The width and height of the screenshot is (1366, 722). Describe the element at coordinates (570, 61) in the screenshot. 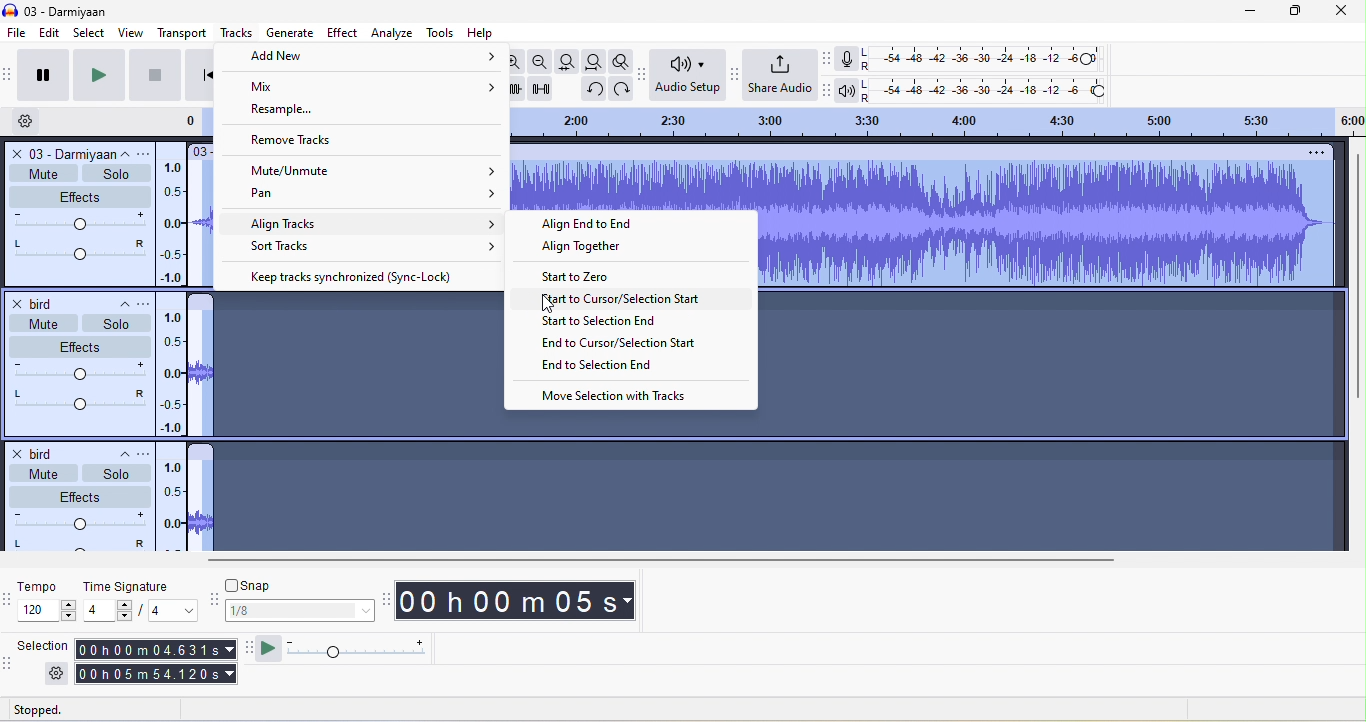

I see `file selection to width` at that location.